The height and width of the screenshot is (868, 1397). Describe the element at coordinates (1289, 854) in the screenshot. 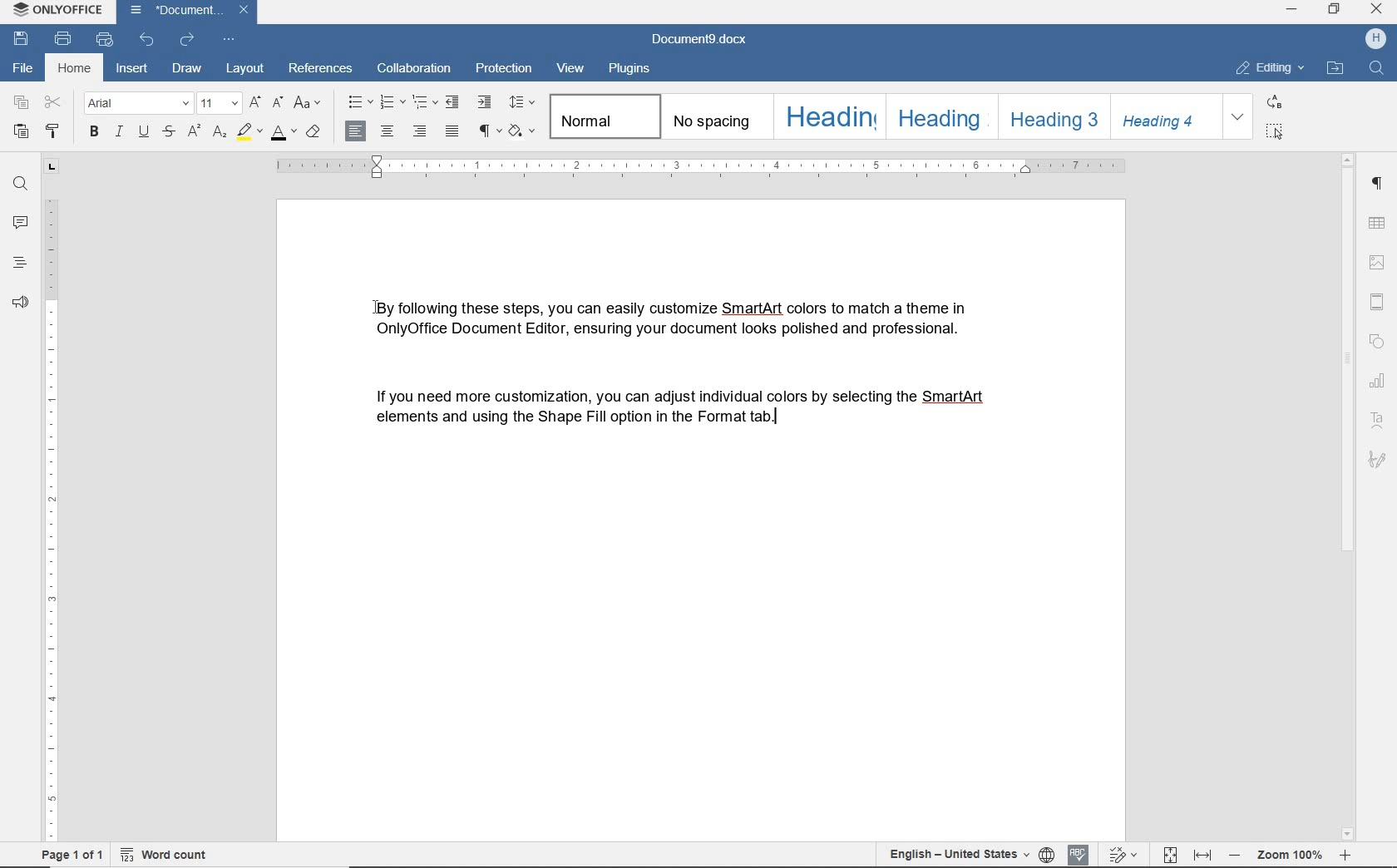

I see `zoom out or zoom in` at that location.